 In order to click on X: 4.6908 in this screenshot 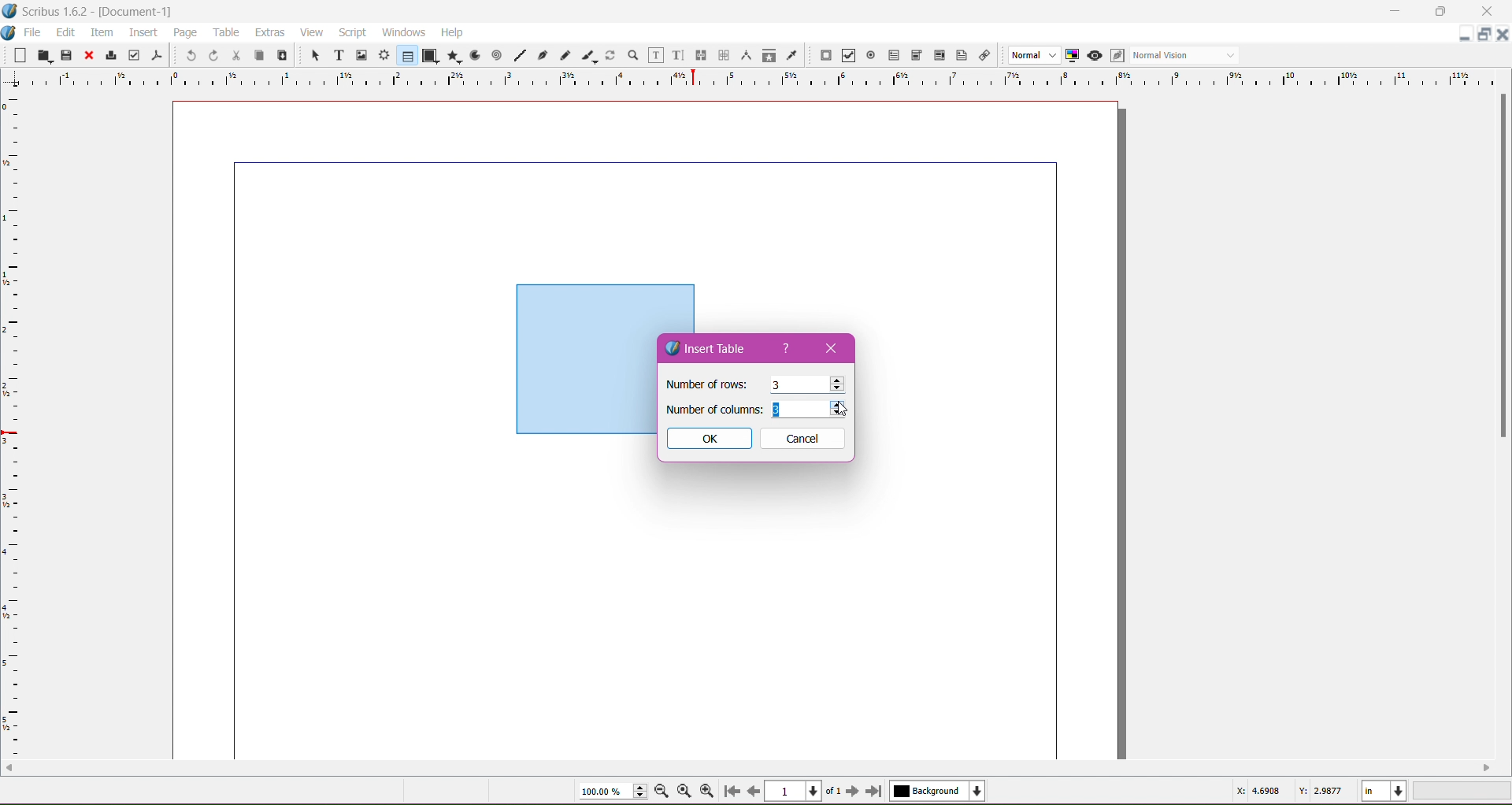, I will do `click(1258, 791)`.